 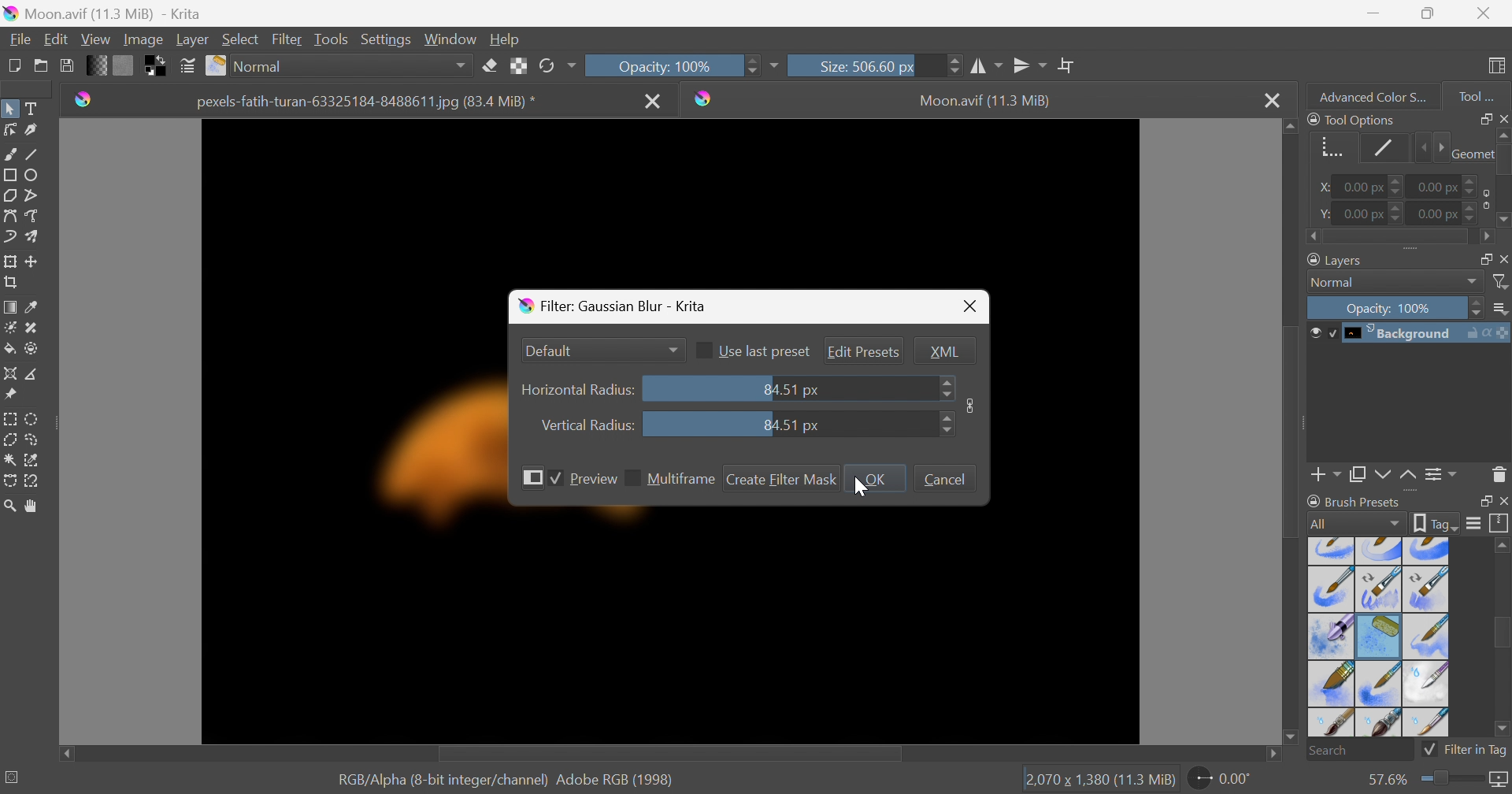 I want to click on 0.00 px, so click(x=1369, y=186).